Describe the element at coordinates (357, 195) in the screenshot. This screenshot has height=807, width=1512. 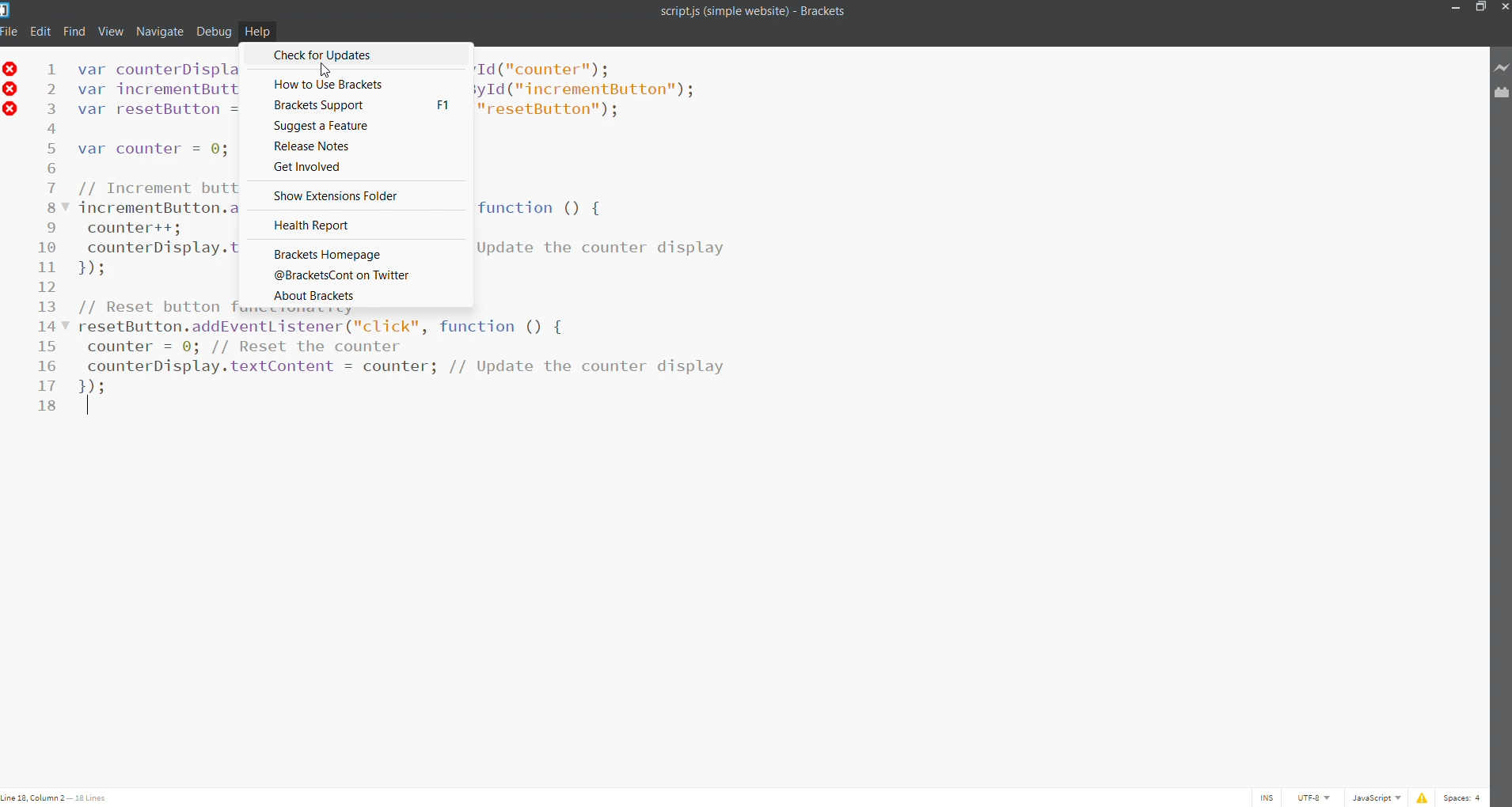
I see `show extensions folder` at that location.